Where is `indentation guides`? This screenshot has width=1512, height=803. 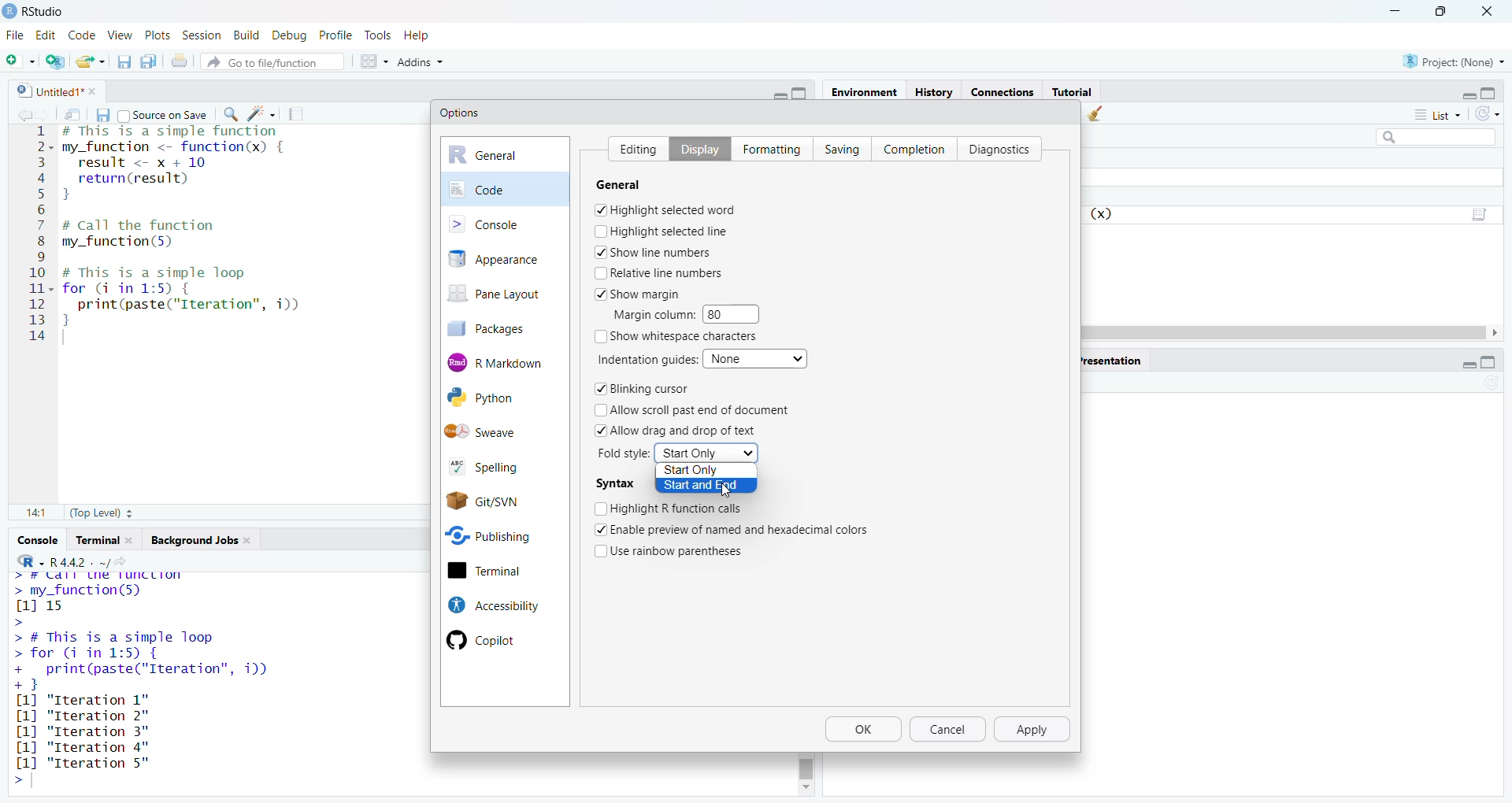
indentation guides is located at coordinates (645, 359).